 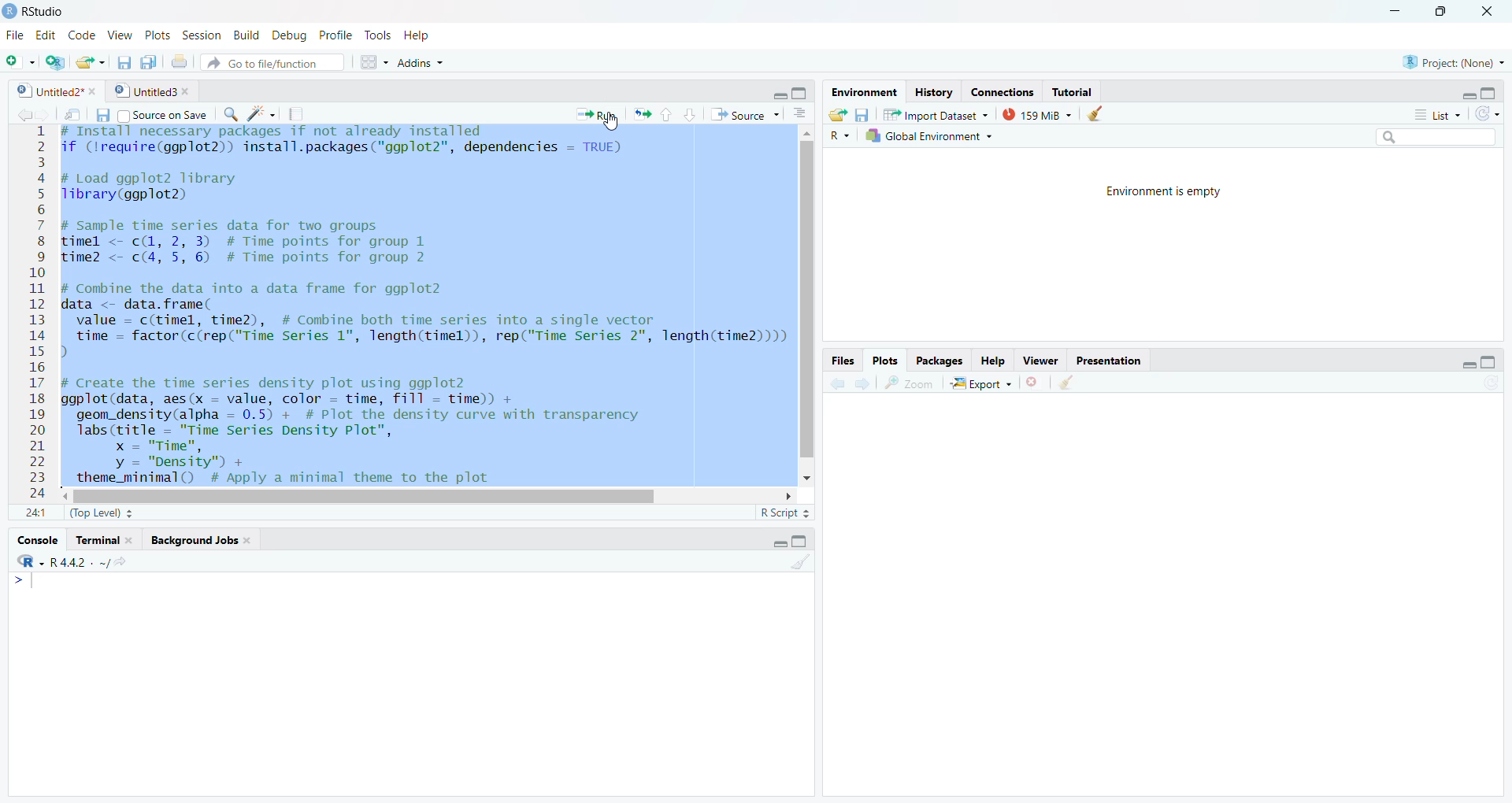 I want to click on Environment is empty, so click(x=1164, y=190).